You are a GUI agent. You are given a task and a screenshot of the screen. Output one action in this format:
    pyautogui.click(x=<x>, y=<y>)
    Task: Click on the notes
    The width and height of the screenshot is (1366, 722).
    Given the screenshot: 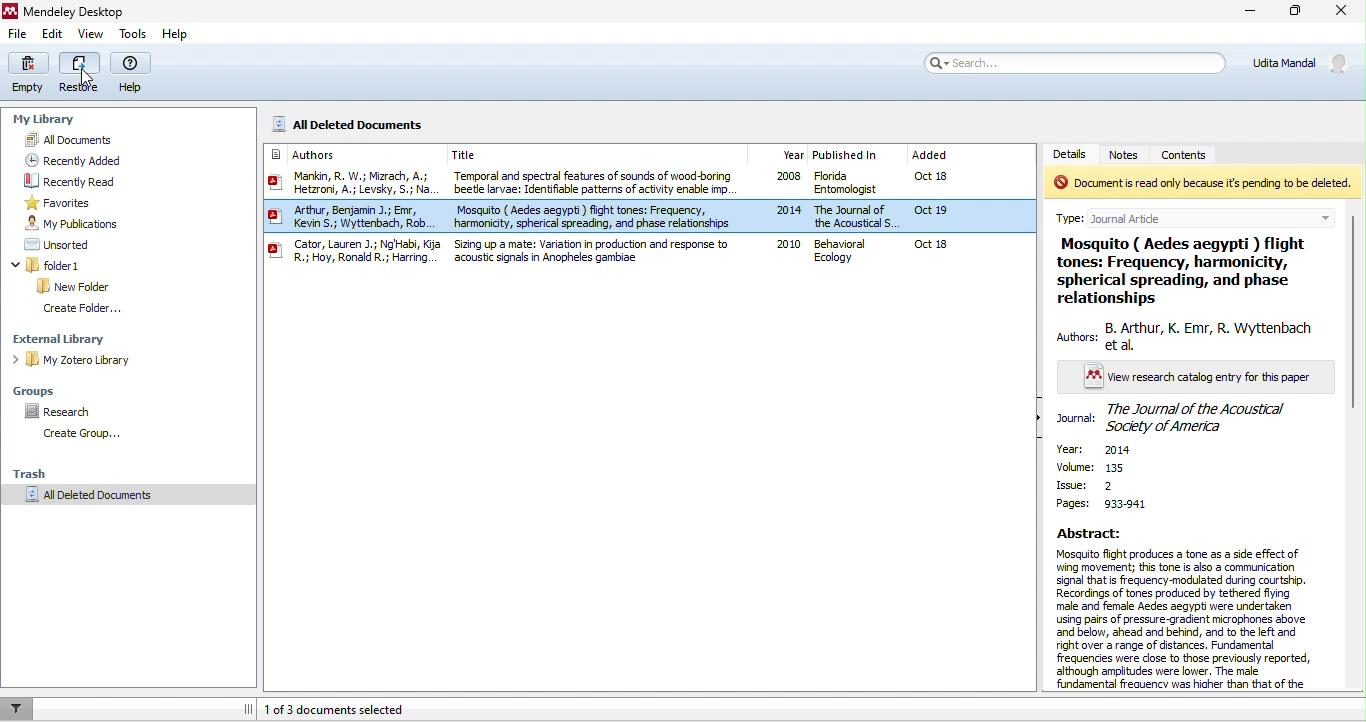 What is the action you would take?
    pyautogui.click(x=1130, y=155)
    